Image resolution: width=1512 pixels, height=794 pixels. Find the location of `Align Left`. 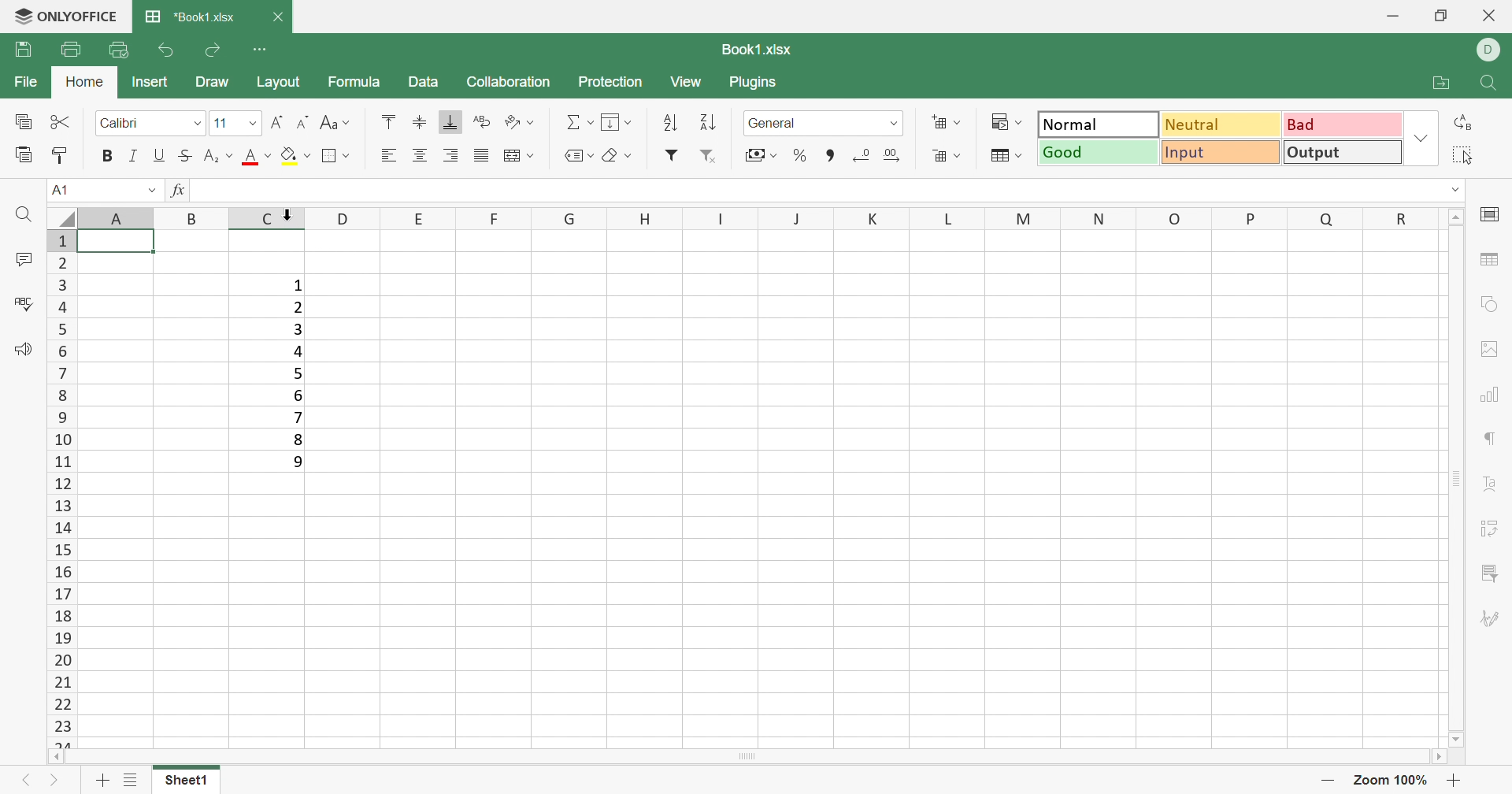

Align Left is located at coordinates (386, 154).